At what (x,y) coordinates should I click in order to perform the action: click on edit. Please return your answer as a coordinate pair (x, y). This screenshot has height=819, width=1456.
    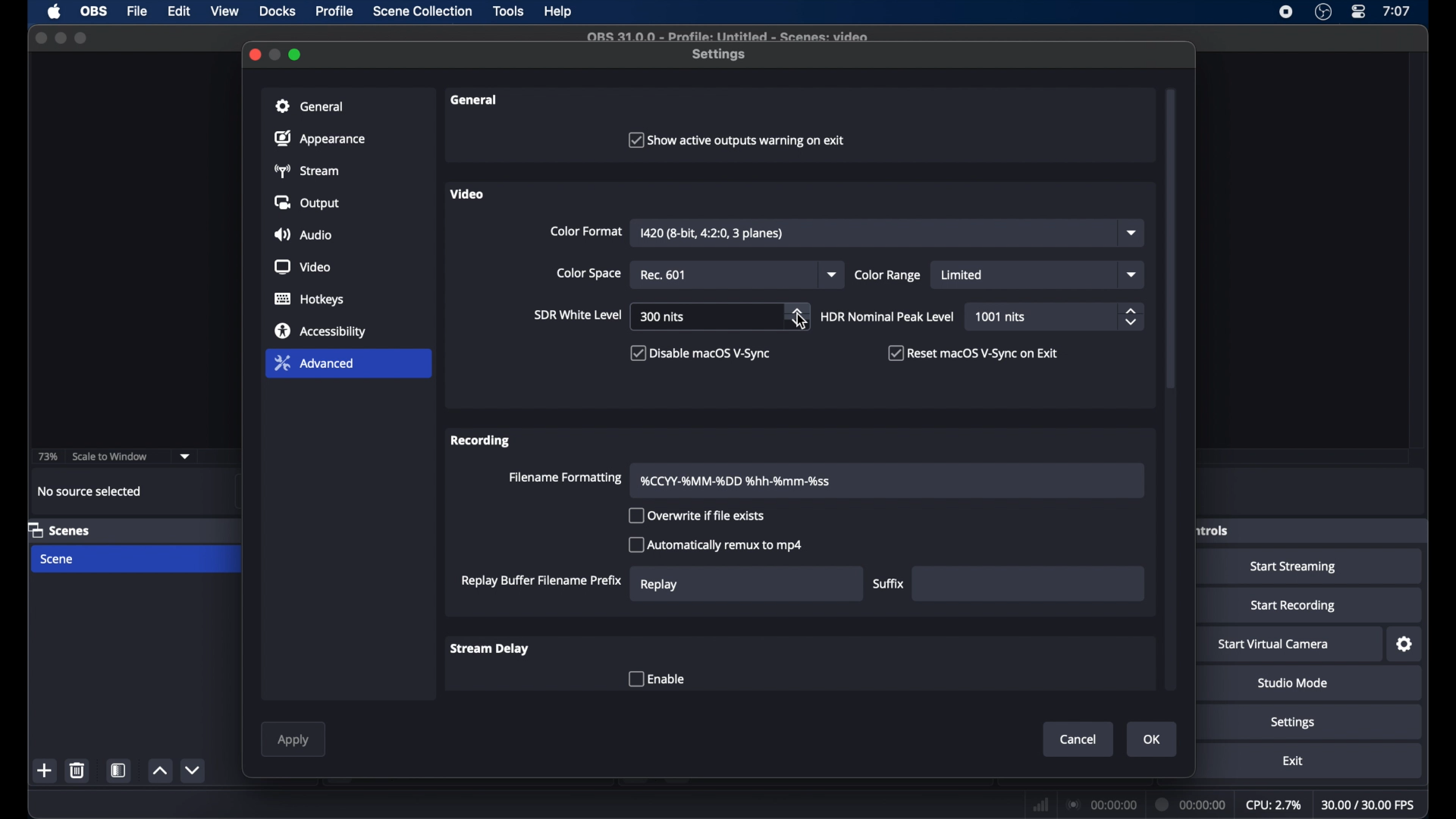
    Looking at the image, I should click on (178, 11).